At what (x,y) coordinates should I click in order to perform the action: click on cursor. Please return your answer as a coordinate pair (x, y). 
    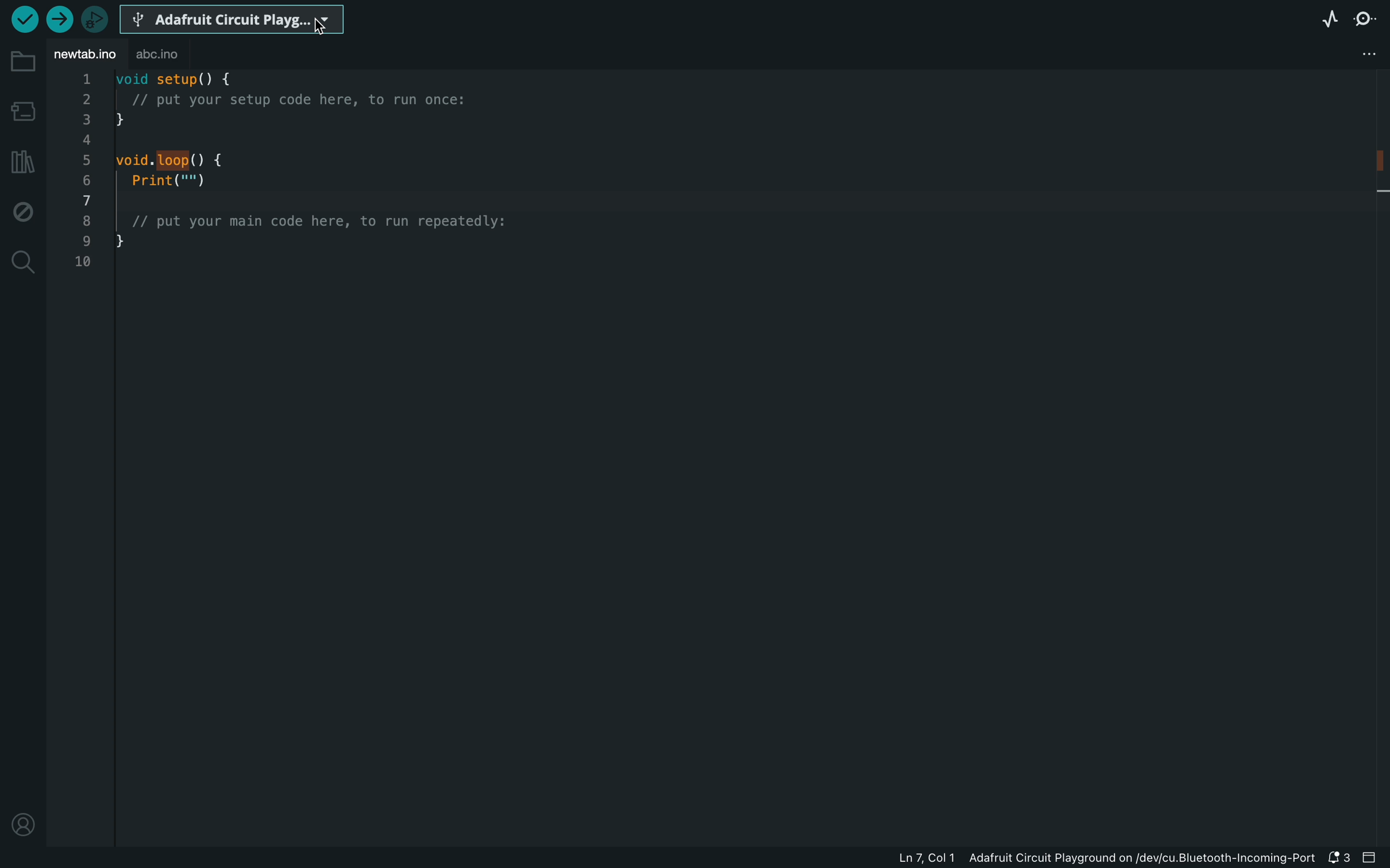
    Looking at the image, I should click on (318, 30).